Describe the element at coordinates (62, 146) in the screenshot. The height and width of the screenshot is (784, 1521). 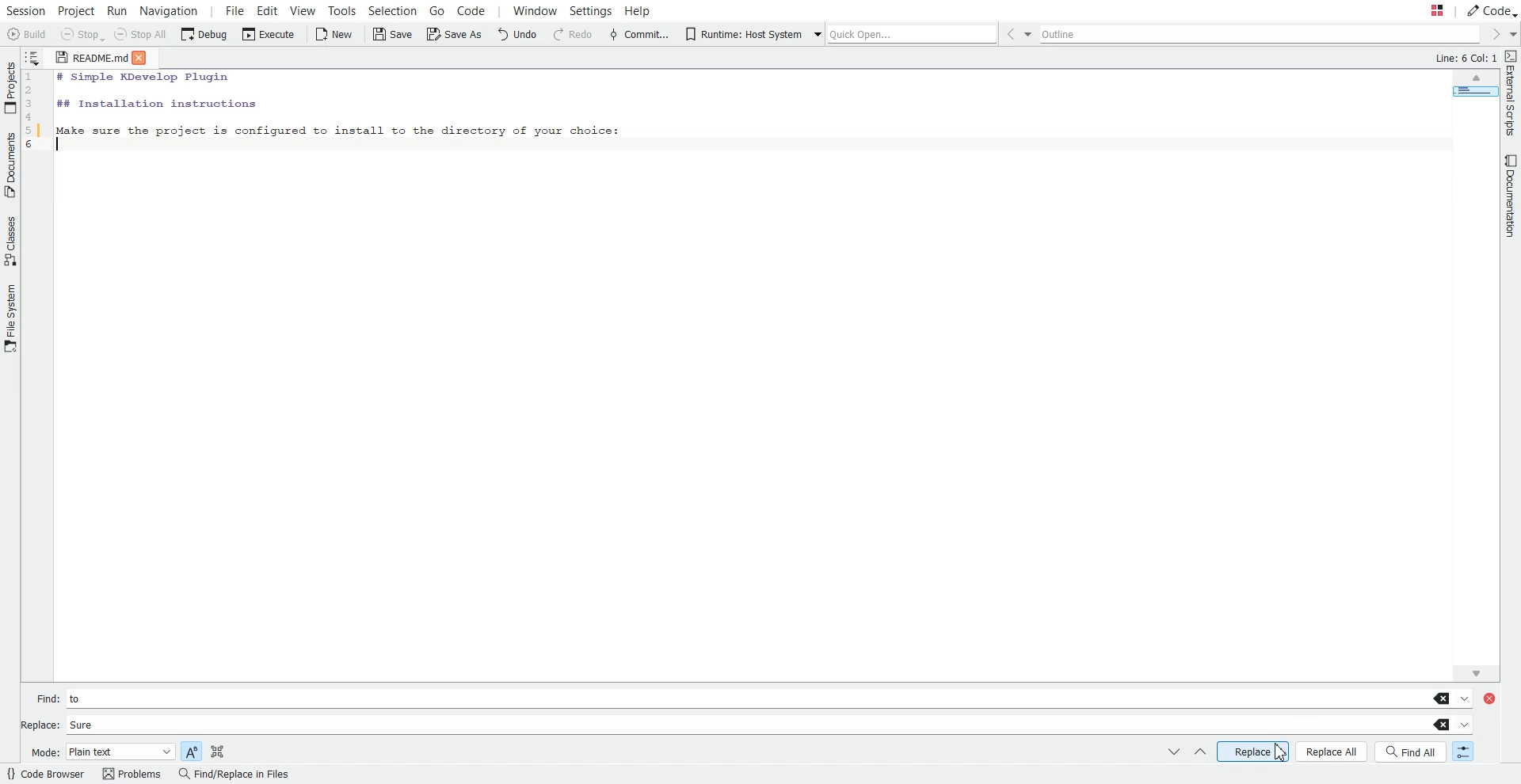
I see `Text Cursor` at that location.